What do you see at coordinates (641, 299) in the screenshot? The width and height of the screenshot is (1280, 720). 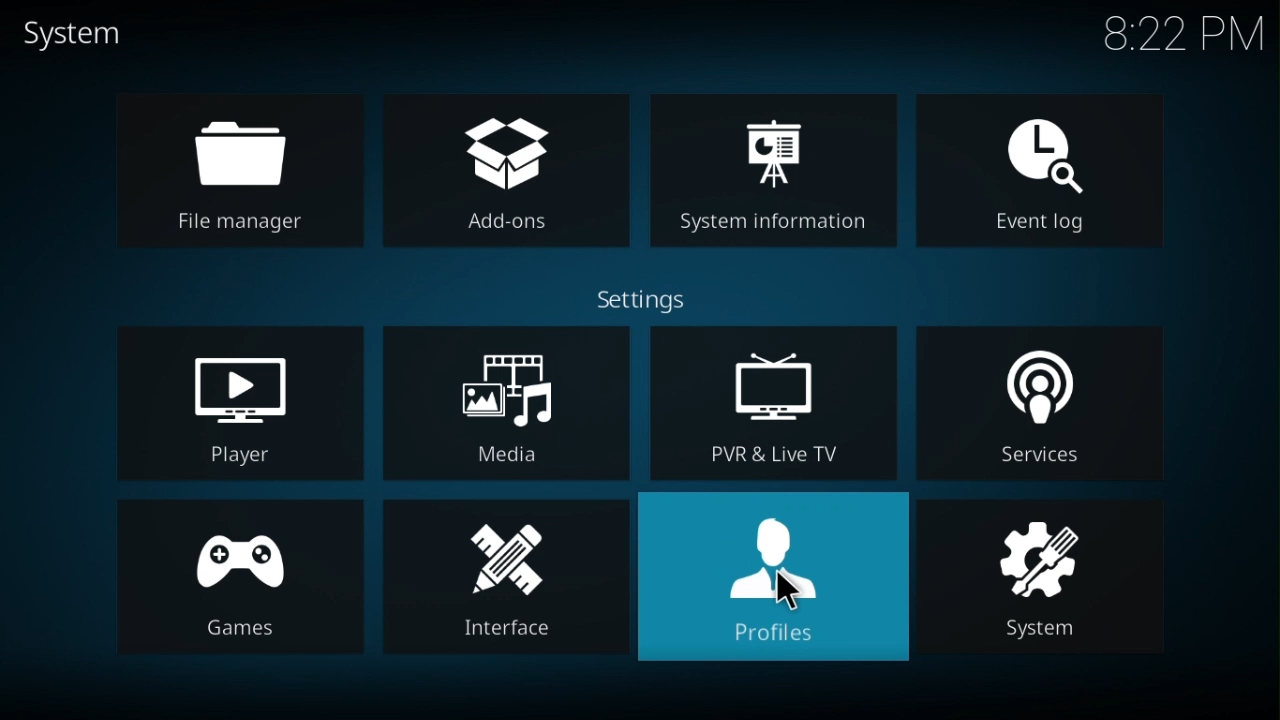 I see `settings` at bounding box center [641, 299].